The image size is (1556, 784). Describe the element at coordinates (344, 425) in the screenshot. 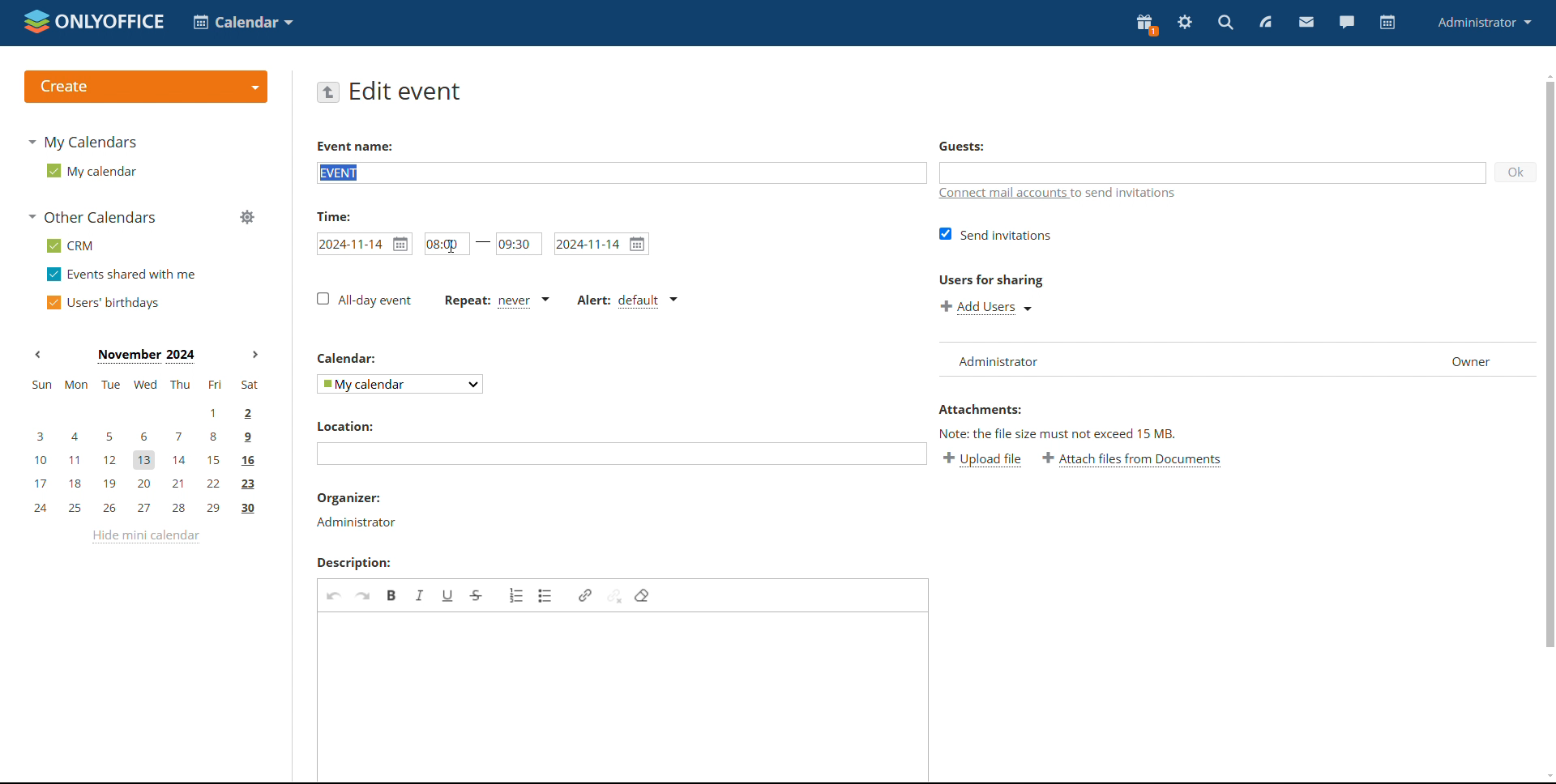

I see `location` at that location.